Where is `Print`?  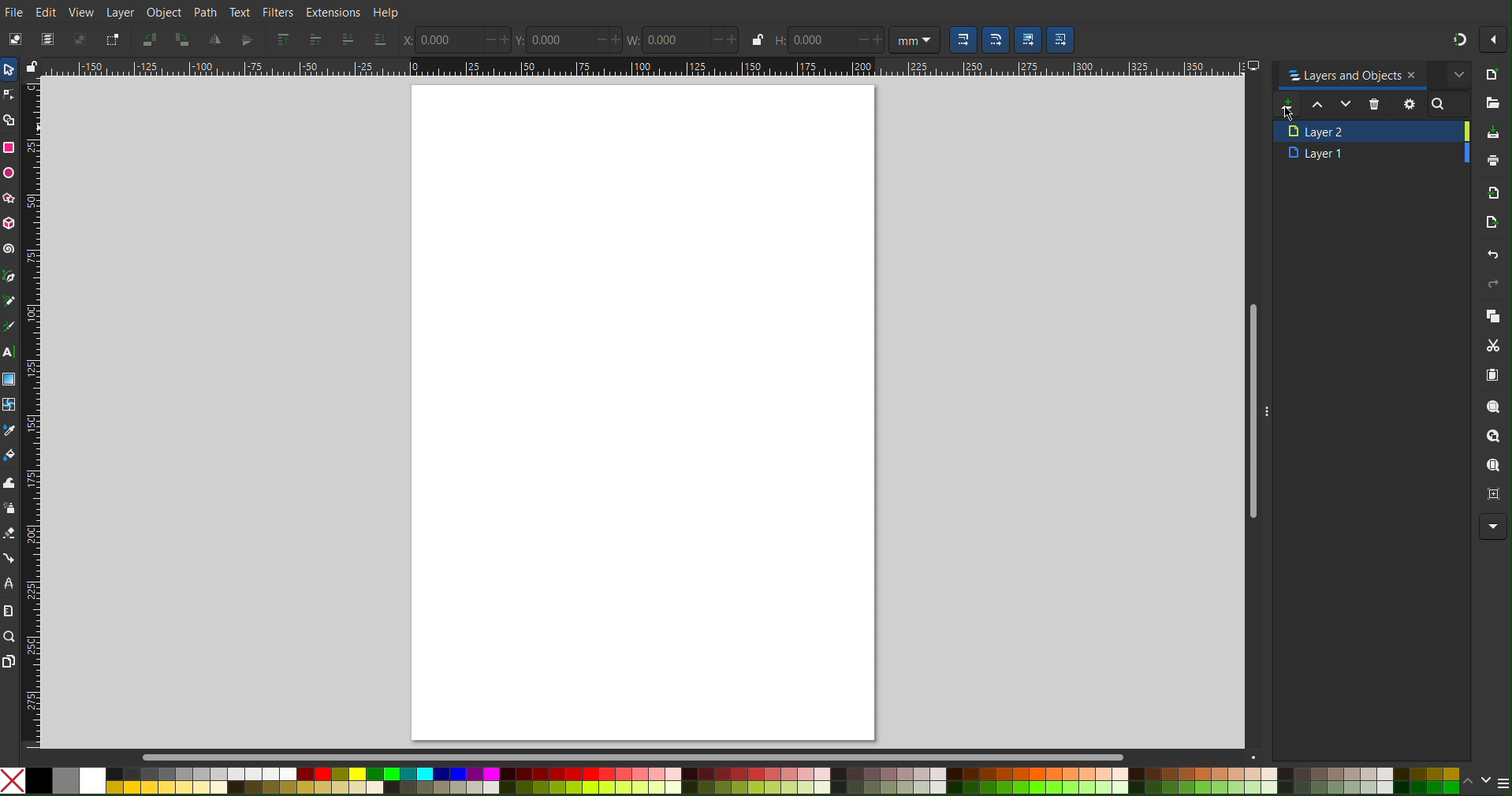
Print is located at coordinates (1492, 161).